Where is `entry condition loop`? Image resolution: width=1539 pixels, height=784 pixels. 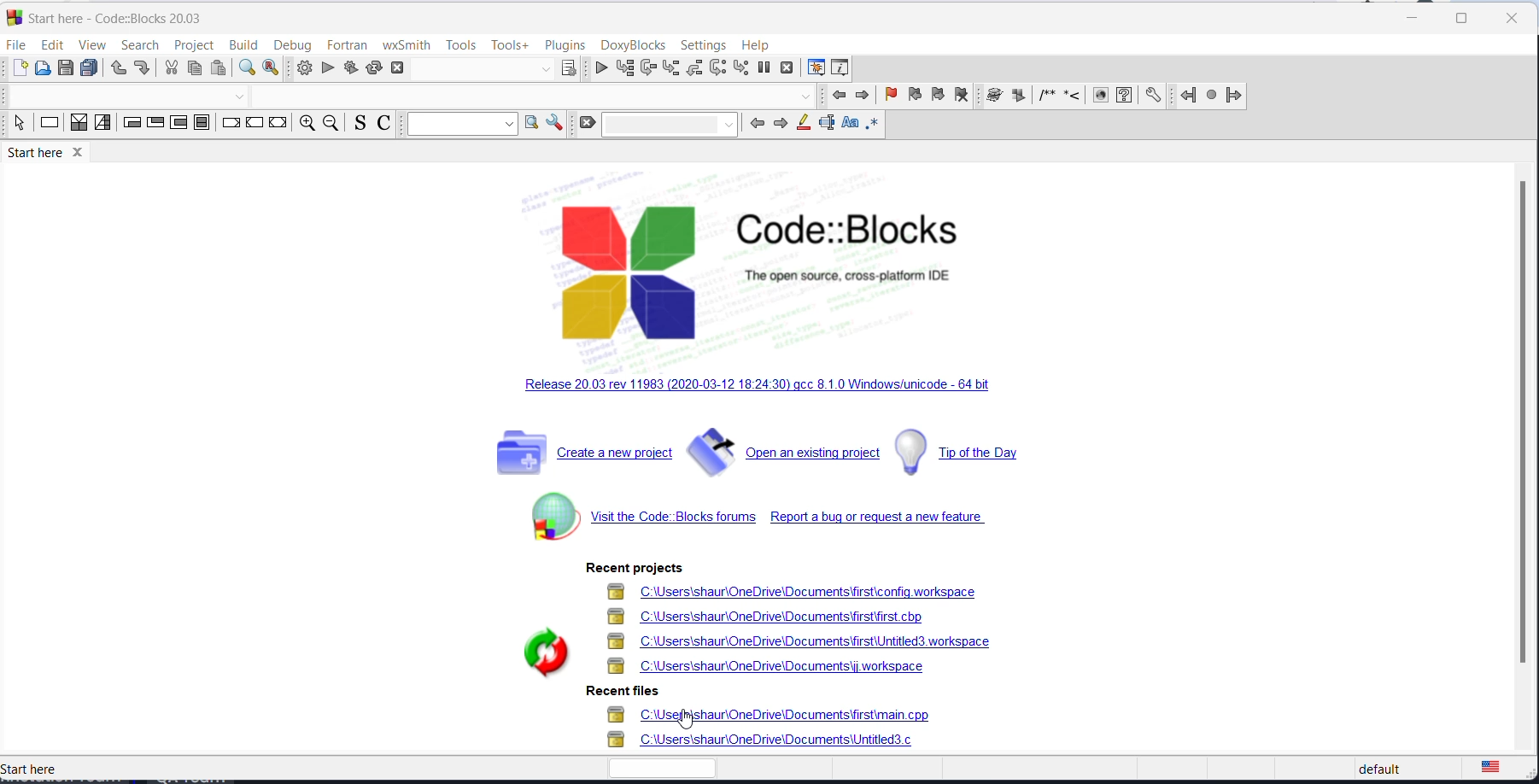 entry condition loop is located at coordinates (132, 126).